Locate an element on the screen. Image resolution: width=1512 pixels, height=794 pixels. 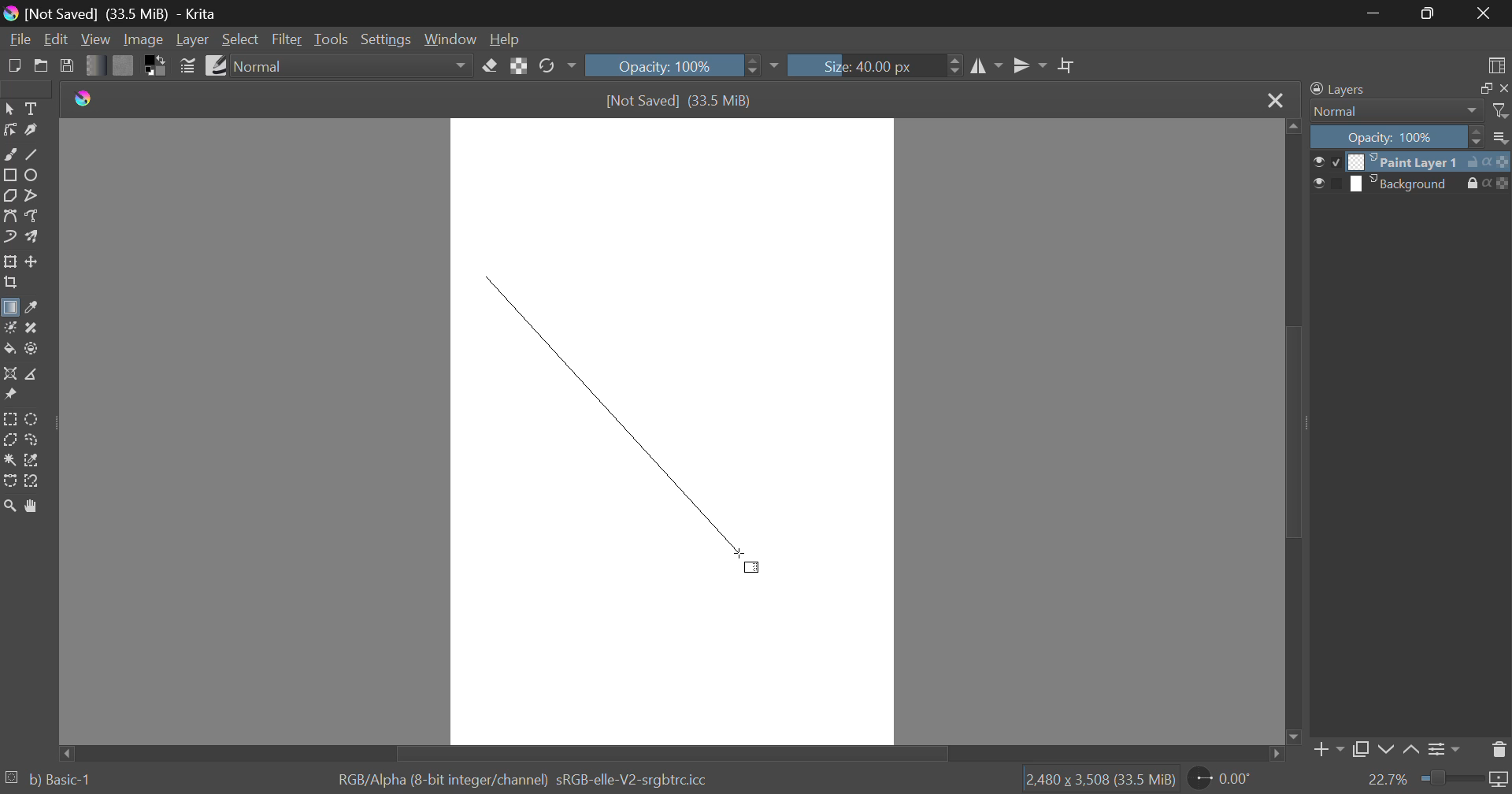
Settings is located at coordinates (384, 39).